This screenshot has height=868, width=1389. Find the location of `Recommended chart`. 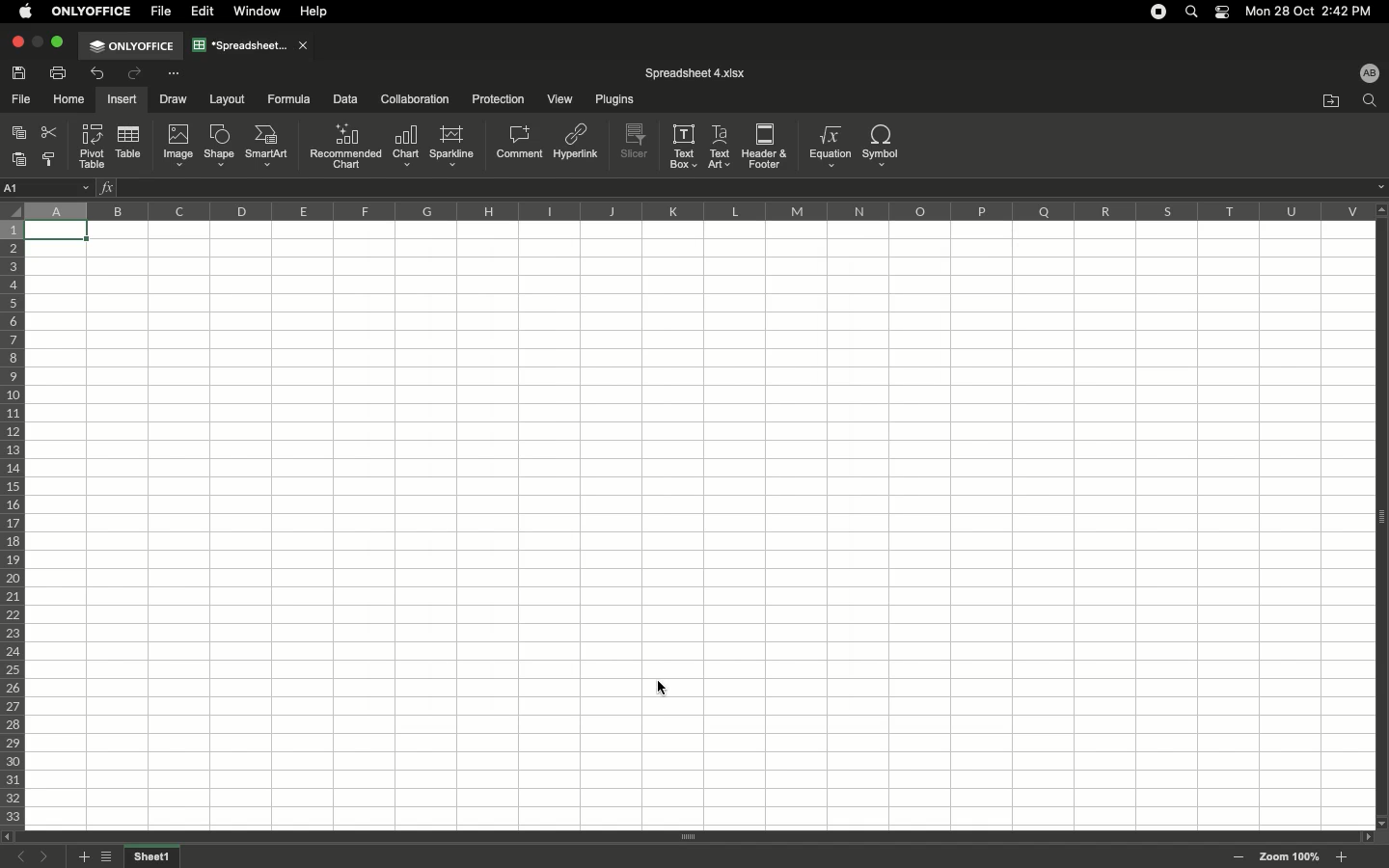

Recommended chart is located at coordinates (345, 146).